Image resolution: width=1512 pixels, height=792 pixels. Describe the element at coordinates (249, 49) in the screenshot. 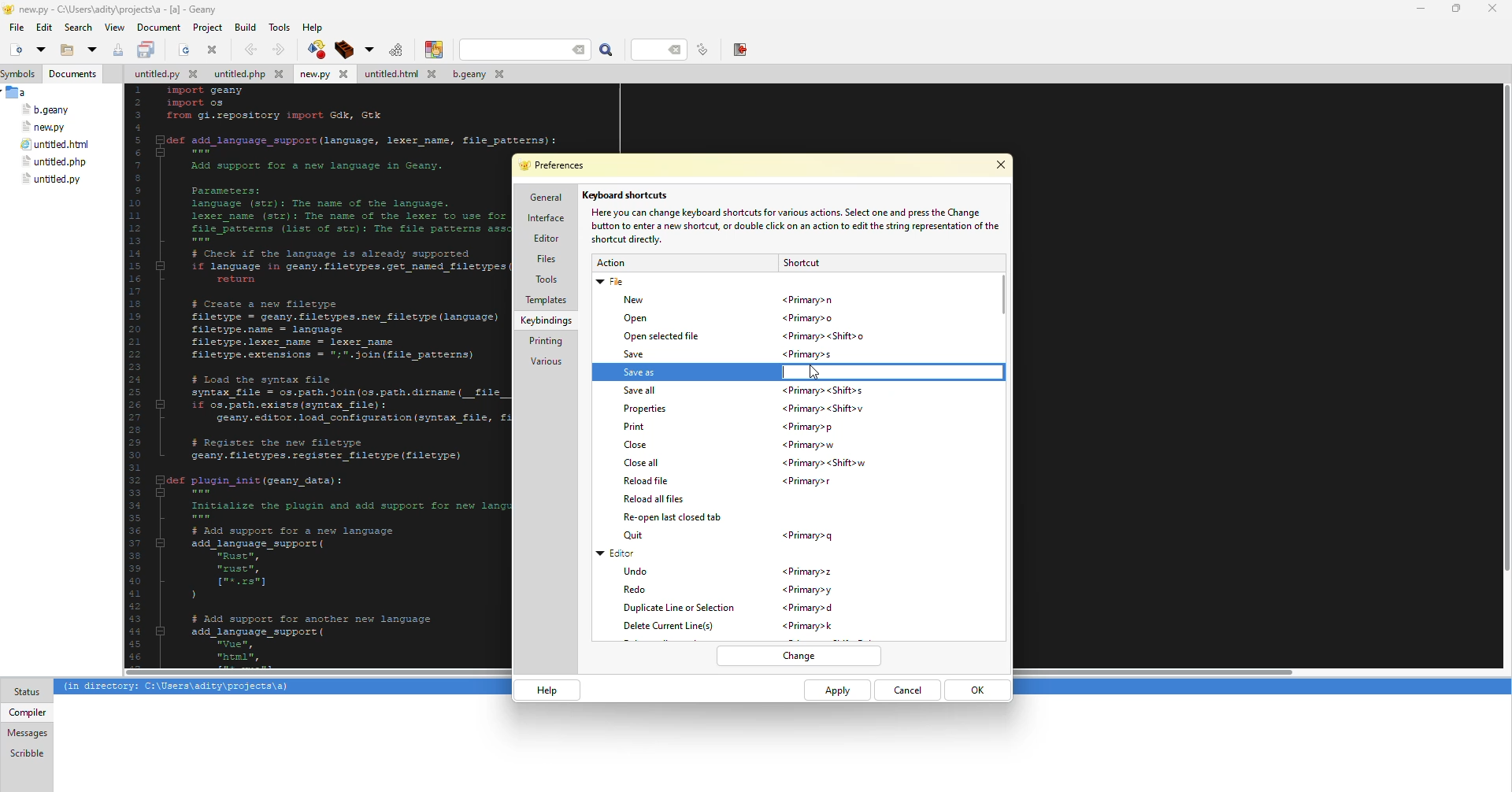

I see `back` at that location.